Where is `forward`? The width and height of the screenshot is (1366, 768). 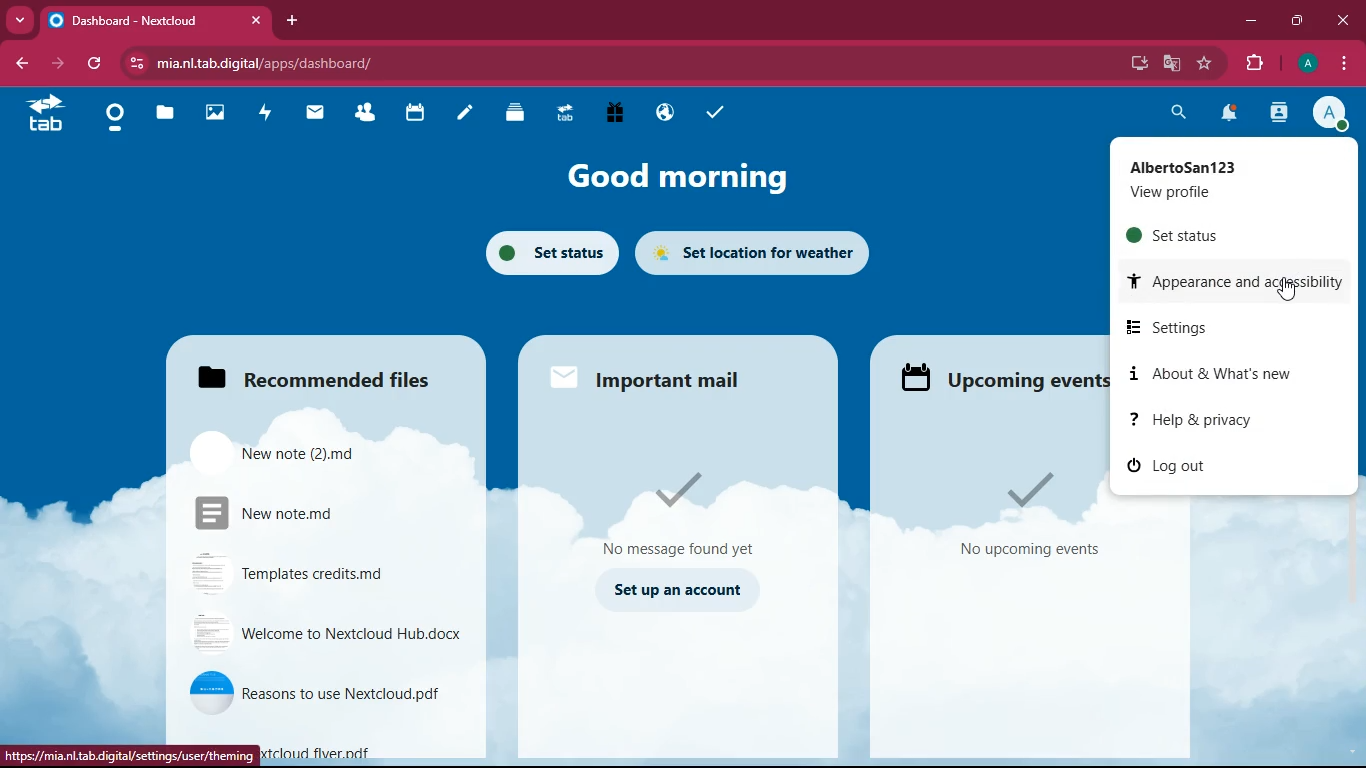
forward is located at coordinates (65, 64).